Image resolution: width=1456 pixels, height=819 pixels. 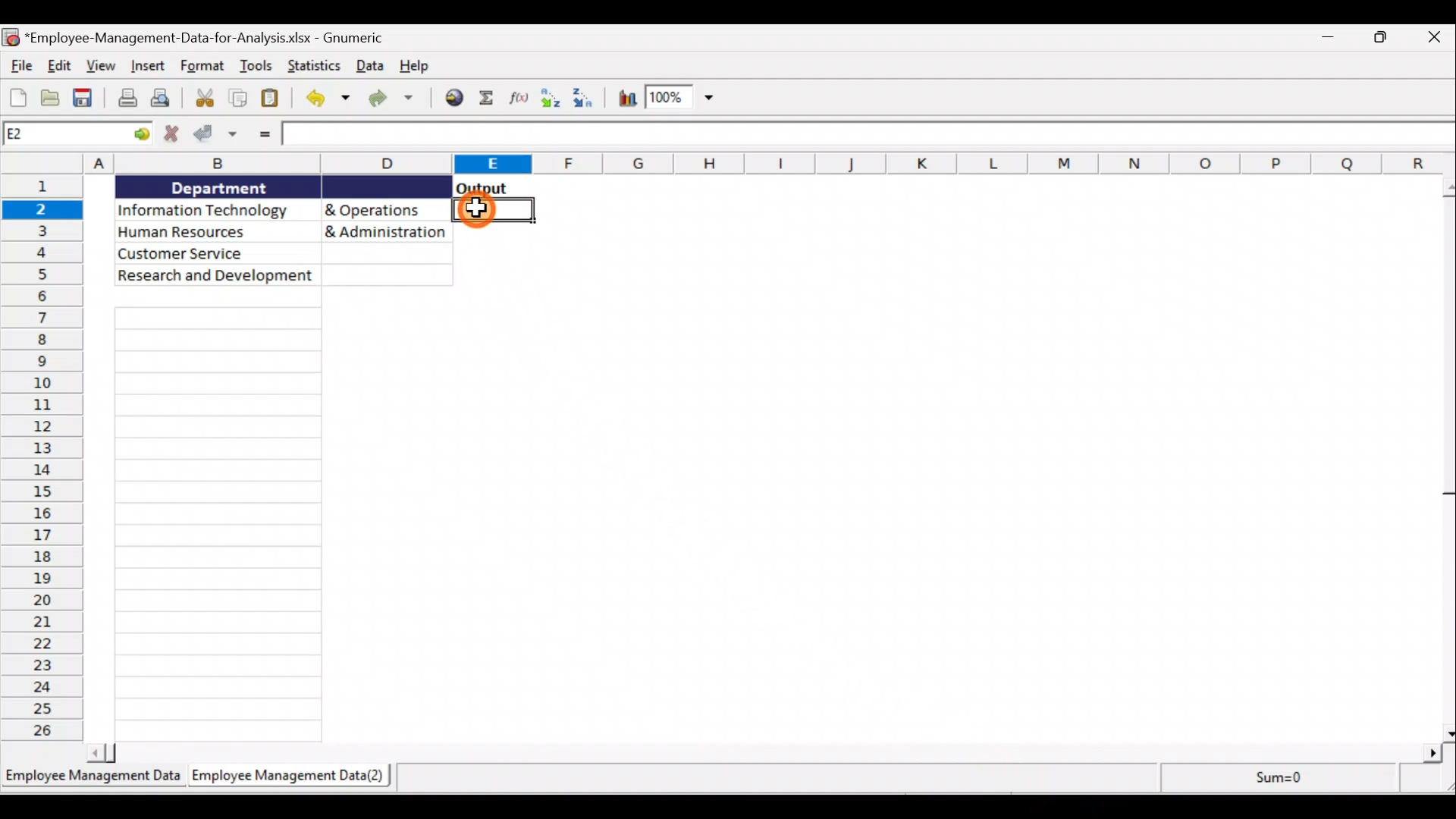 I want to click on selected cell, so click(x=495, y=215).